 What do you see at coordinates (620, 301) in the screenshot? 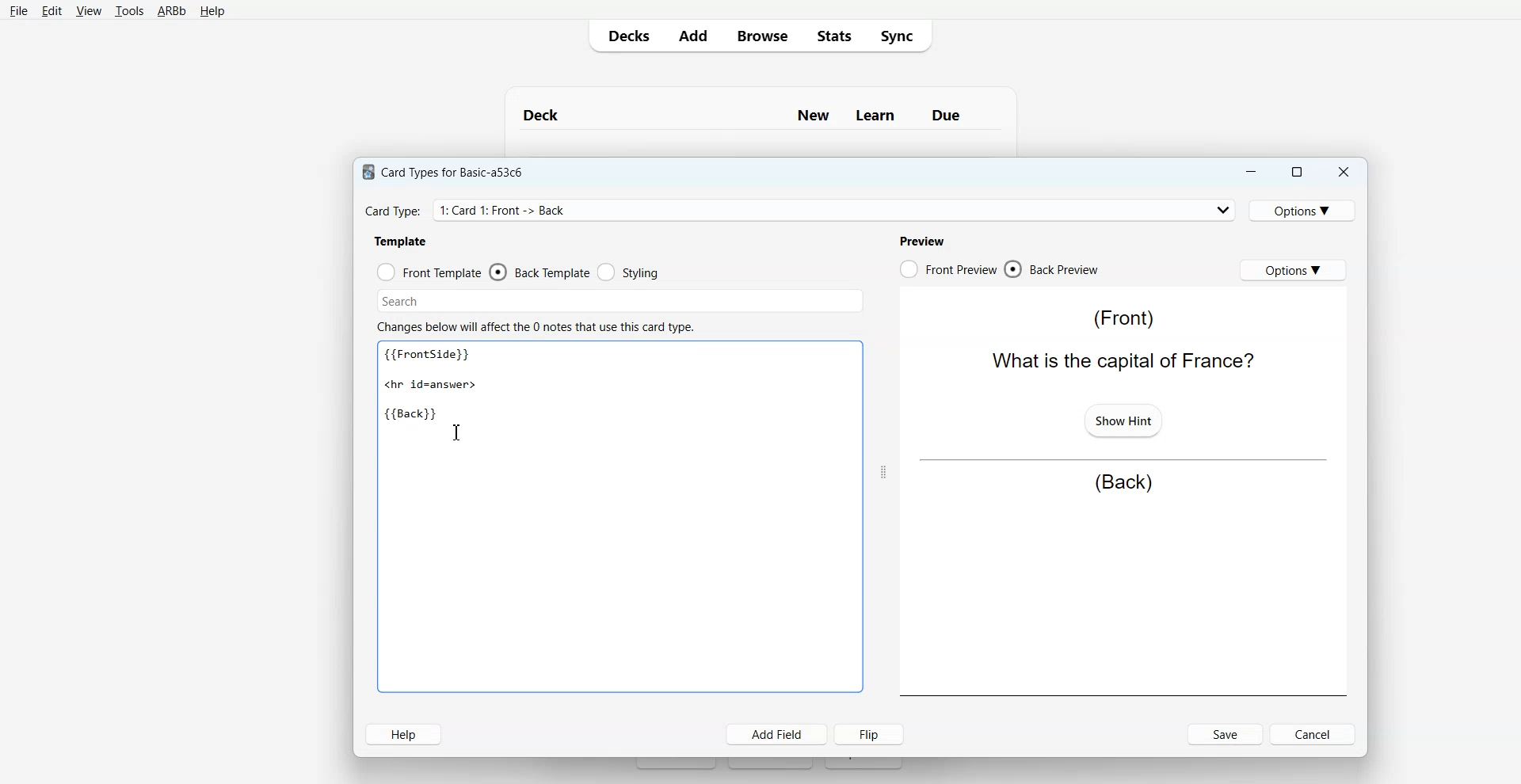
I see `Search Bar` at bounding box center [620, 301].